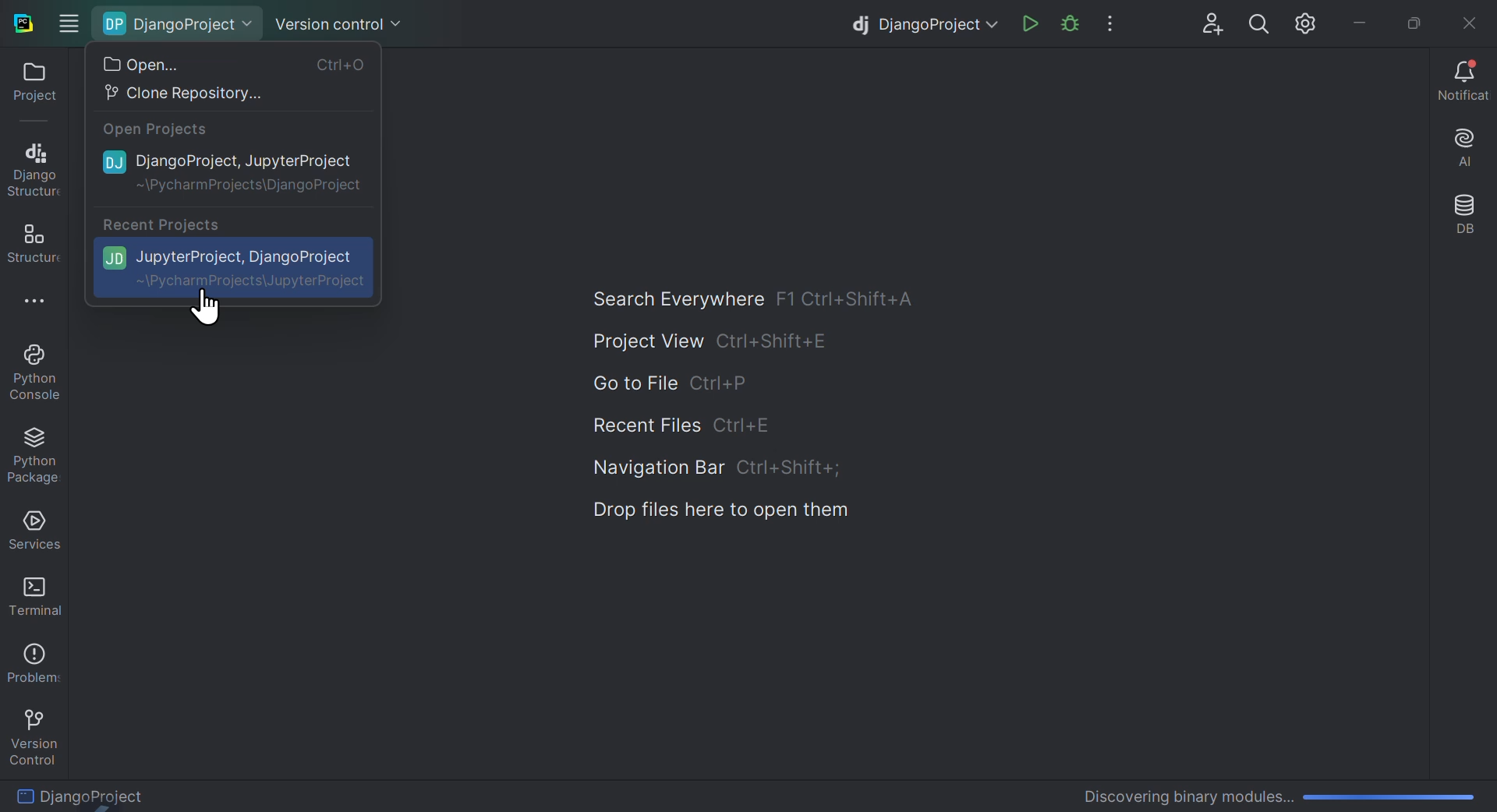  What do you see at coordinates (725, 385) in the screenshot?
I see `shortcut` at bounding box center [725, 385].